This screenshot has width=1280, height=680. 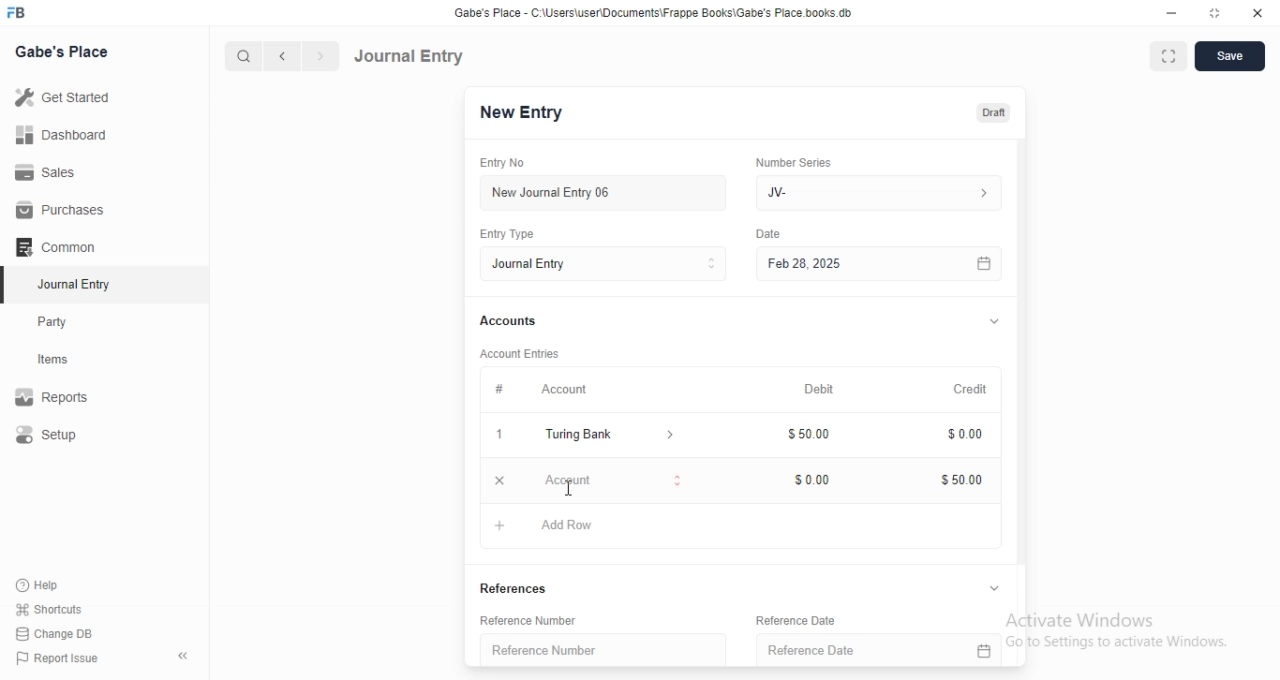 What do you see at coordinates (518, 322) in the screenshot?
I see `Accounts.` at bounding box center [518, 322].